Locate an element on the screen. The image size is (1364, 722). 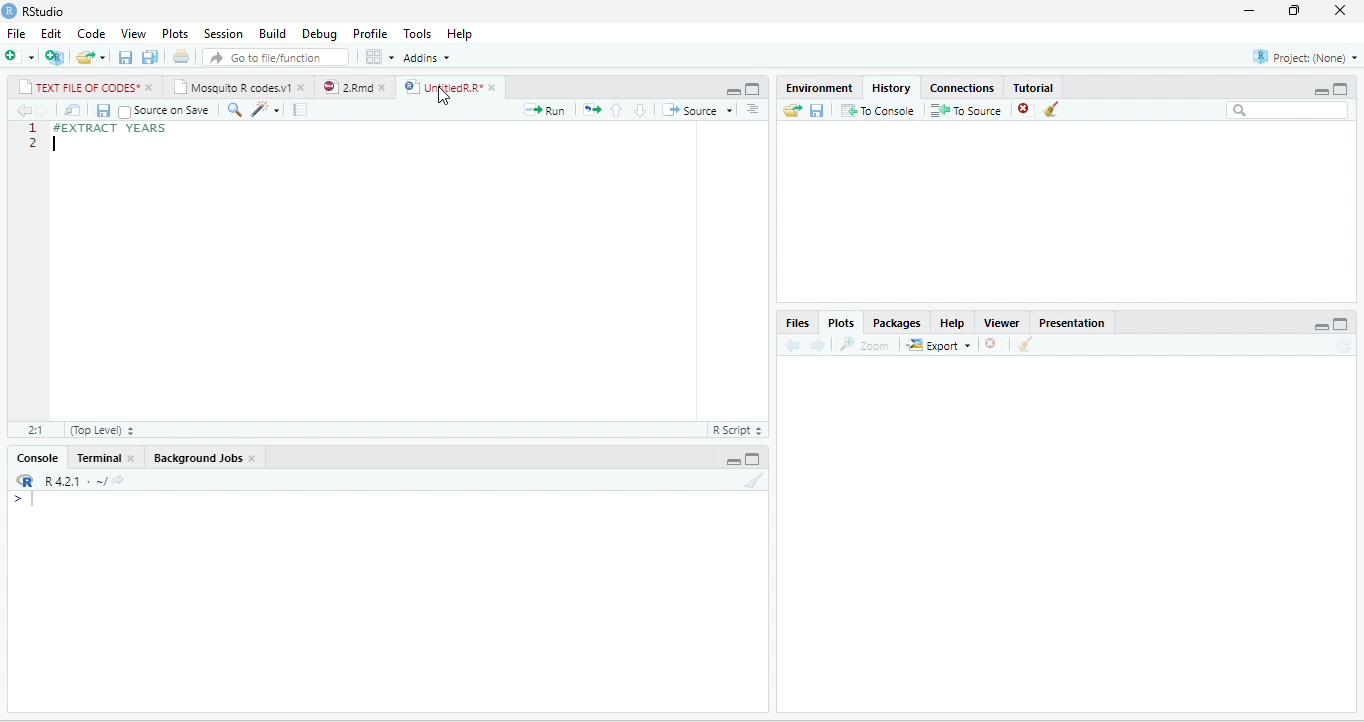
Source on Save is located at coordinates (164, 110).